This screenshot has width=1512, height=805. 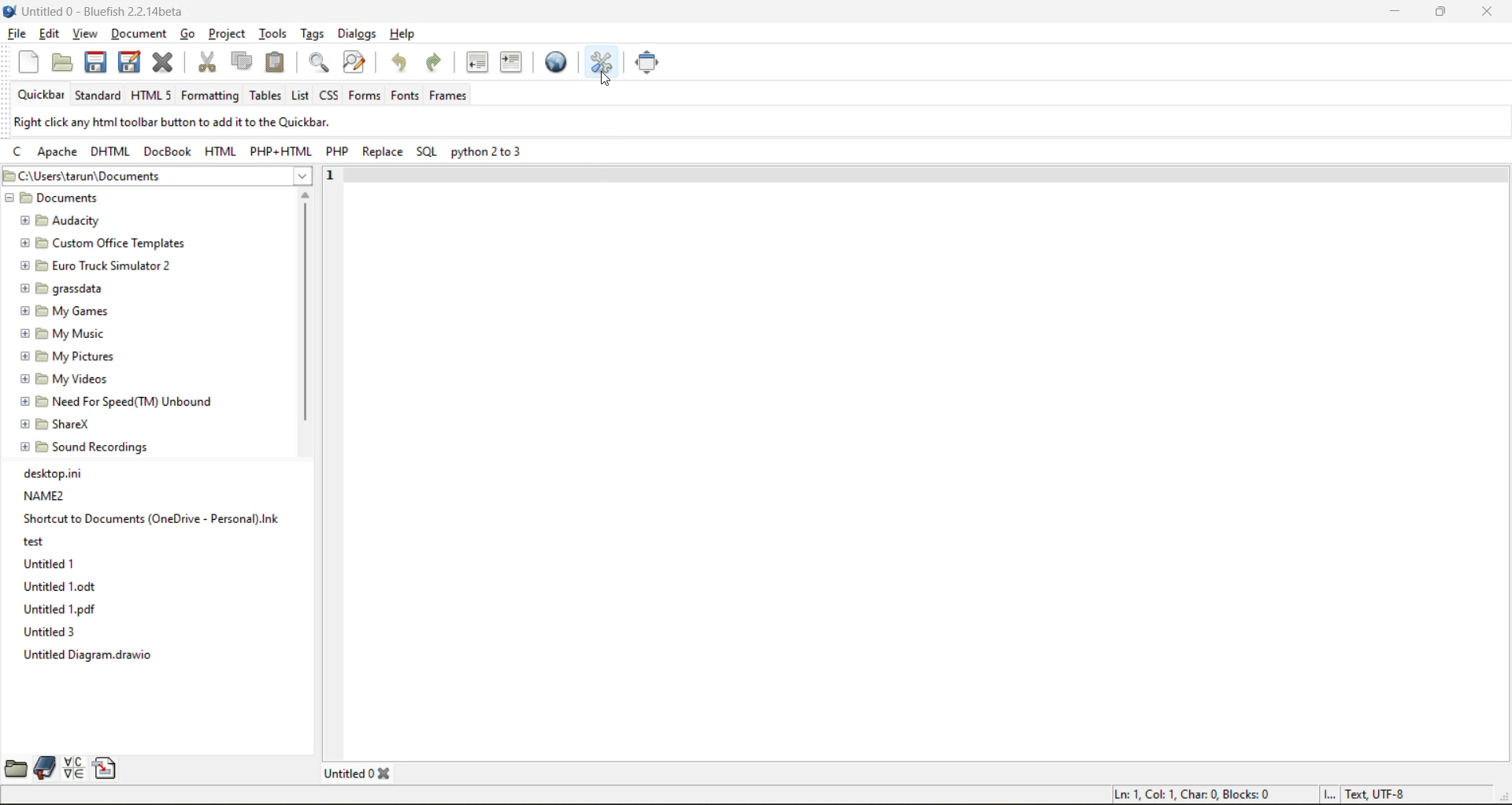 What do you see at coordinates (274, 33) in the screenshot?
I see `tools` at bounding box center [274, 33].